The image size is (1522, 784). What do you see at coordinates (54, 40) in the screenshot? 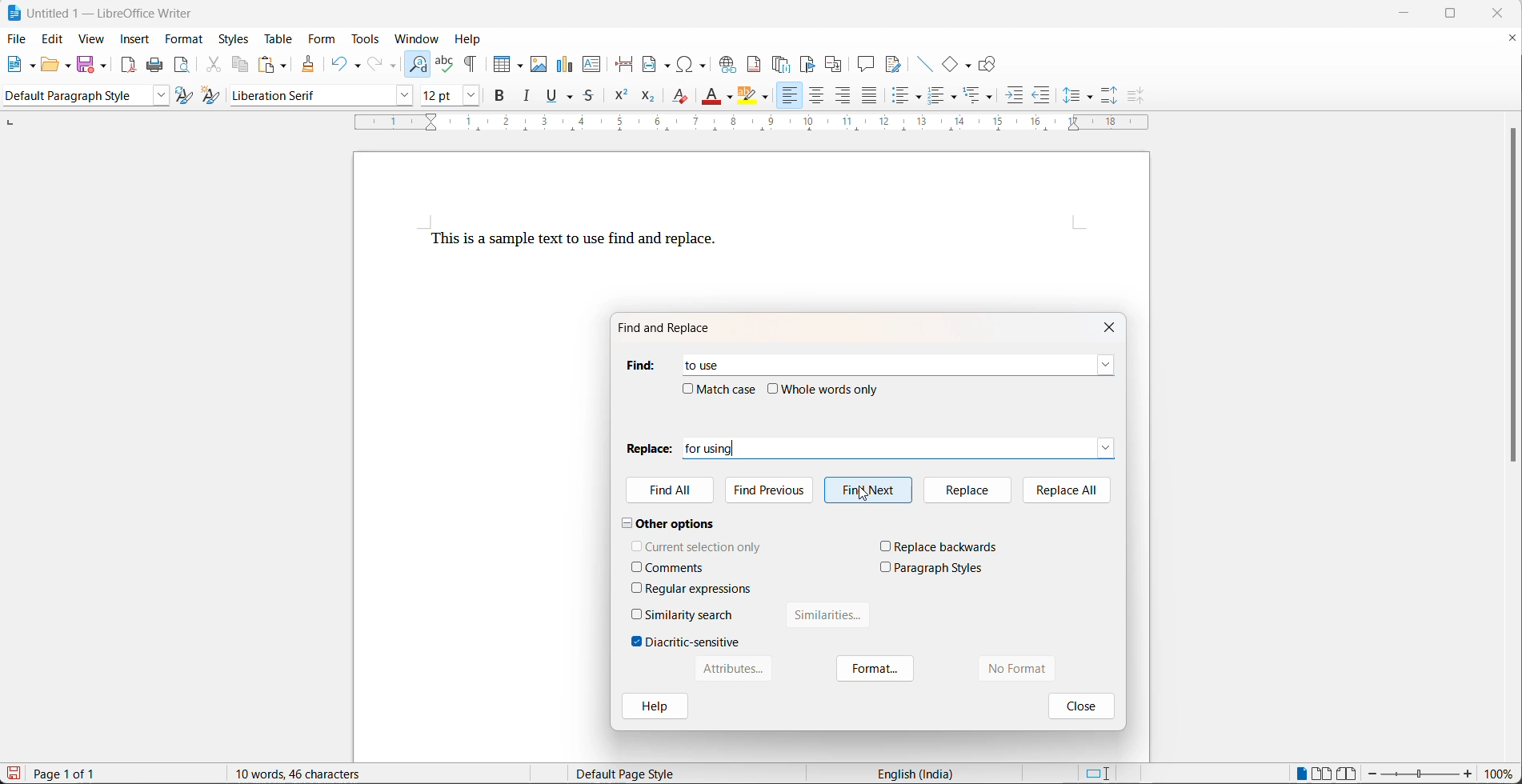
I see `edit` at bounding box center [54, 40].